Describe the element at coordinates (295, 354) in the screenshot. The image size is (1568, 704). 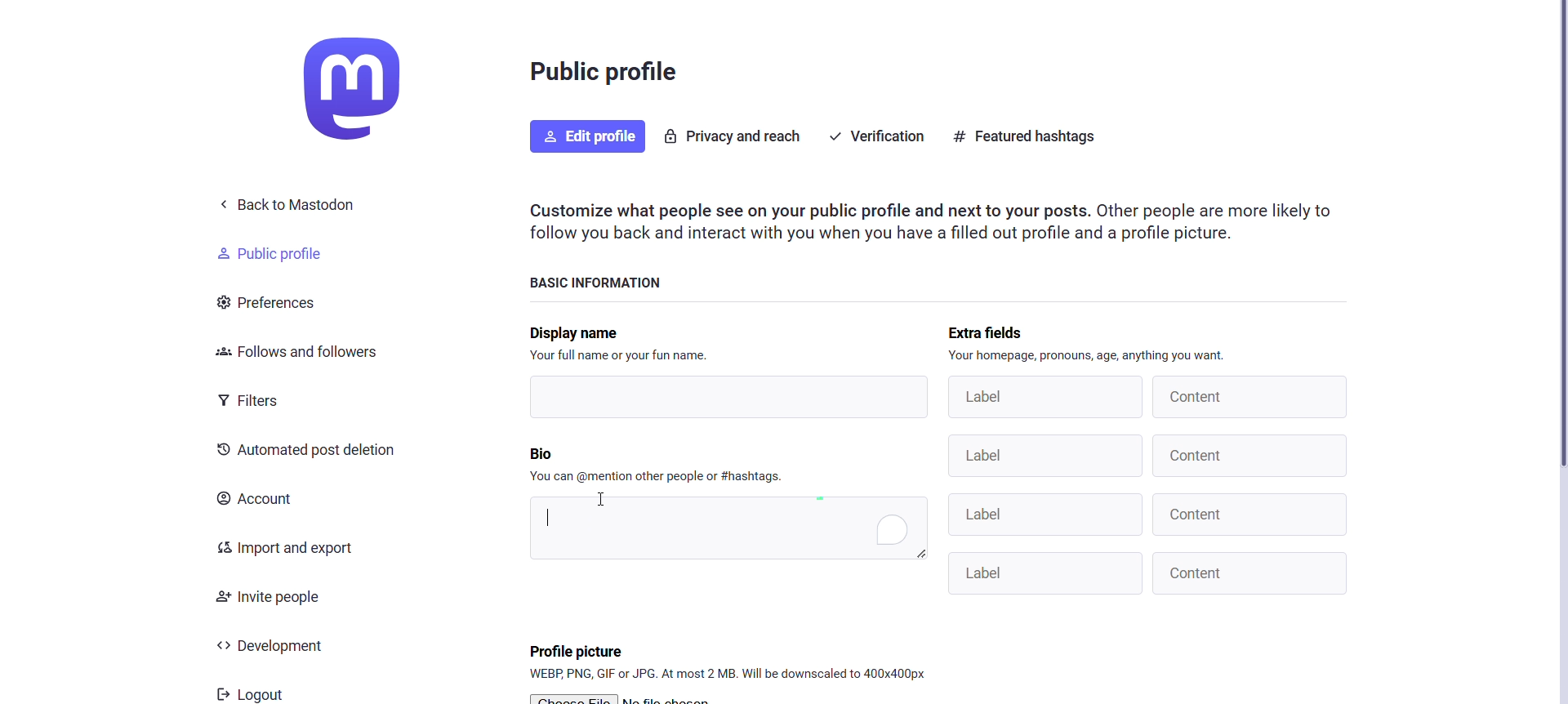
I see `Follows and Followers` at that location.